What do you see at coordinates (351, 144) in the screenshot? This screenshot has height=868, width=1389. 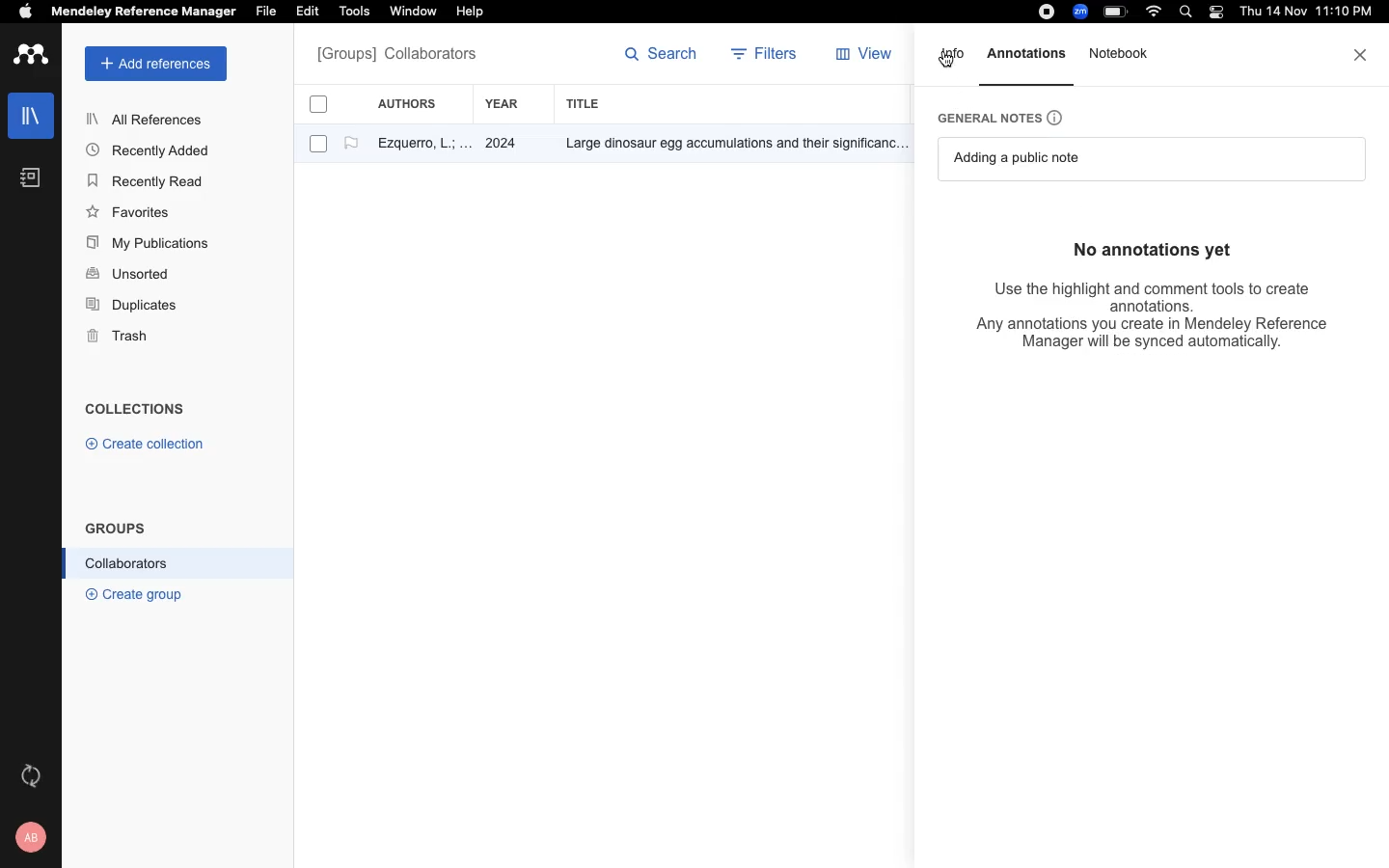 I see `flag` at bounding box center [351, 144].